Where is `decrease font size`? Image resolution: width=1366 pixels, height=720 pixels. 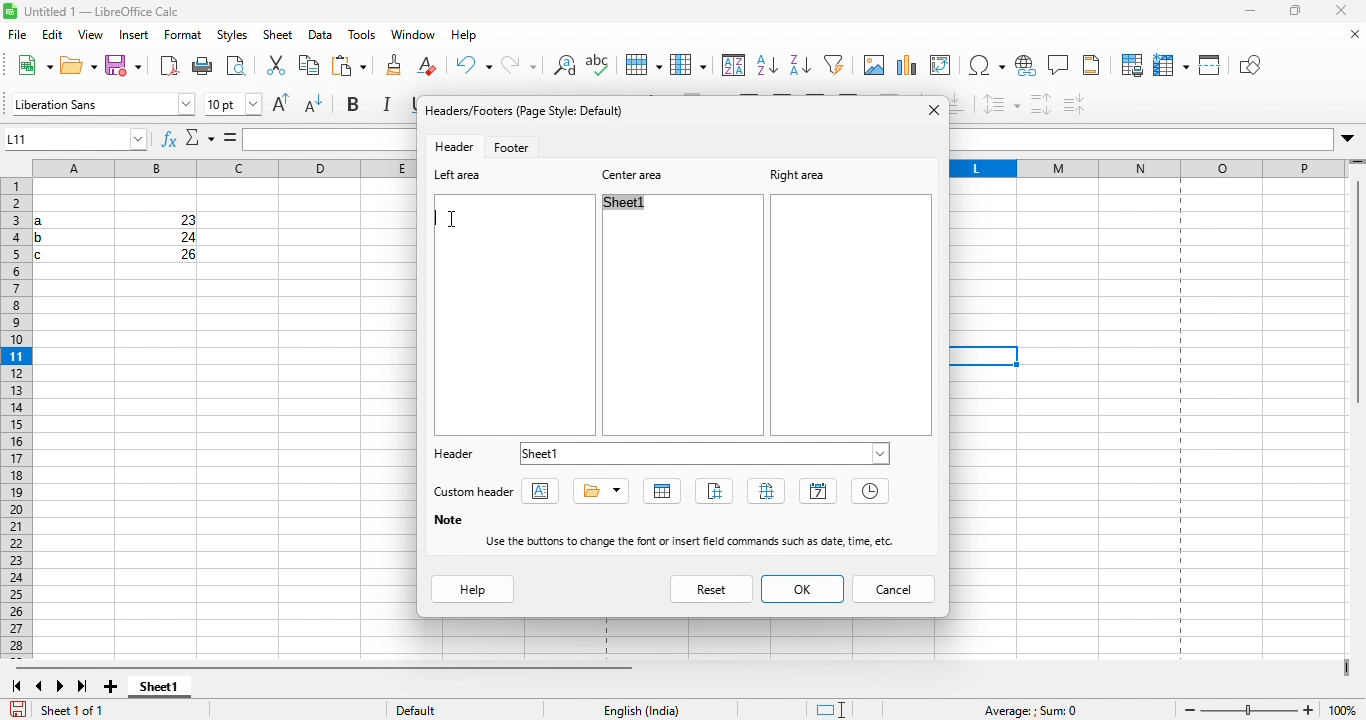
decrease font size is located at coordinates (317, 106).